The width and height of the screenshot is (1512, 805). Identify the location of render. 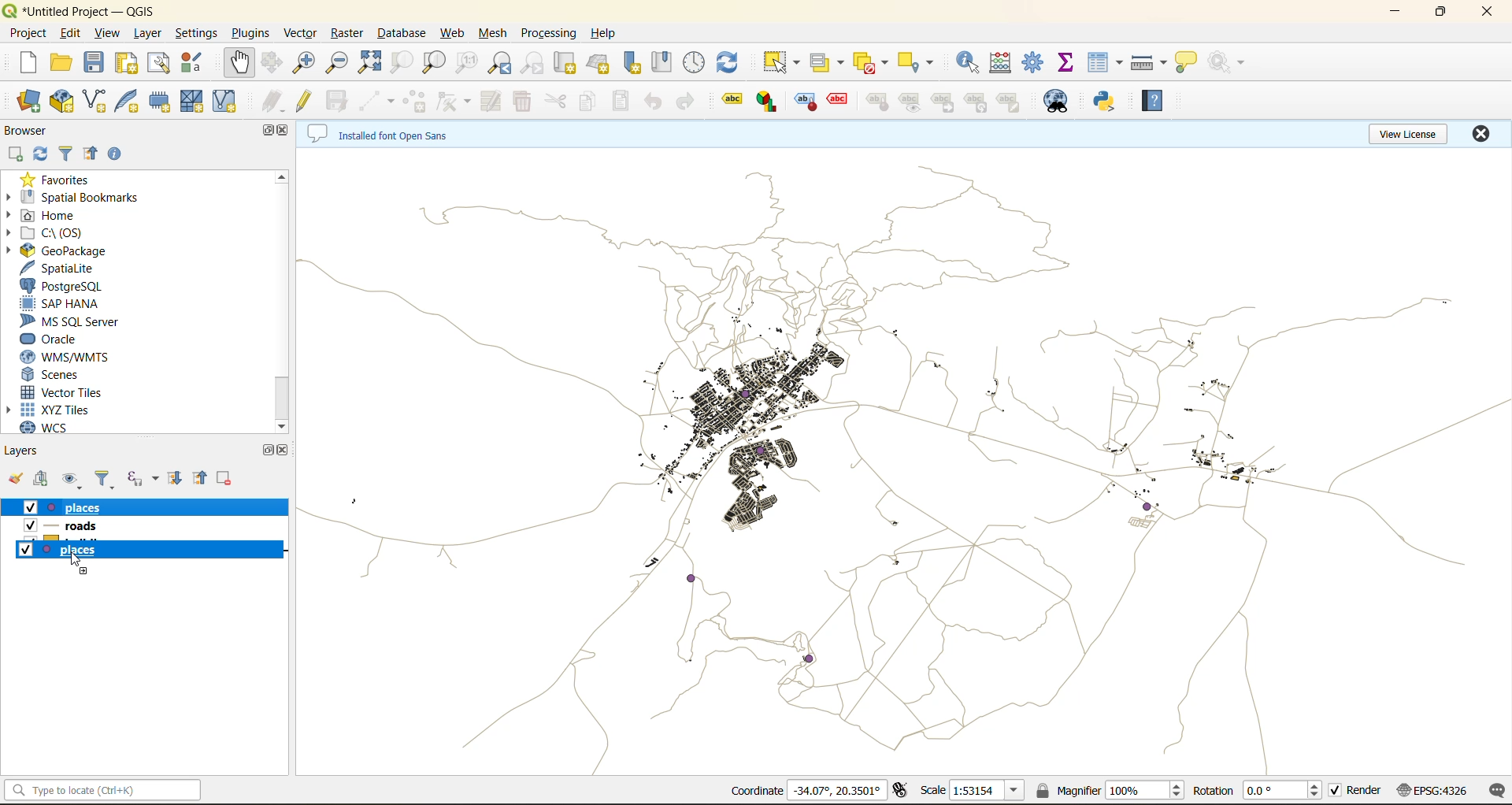
(1354, 791).